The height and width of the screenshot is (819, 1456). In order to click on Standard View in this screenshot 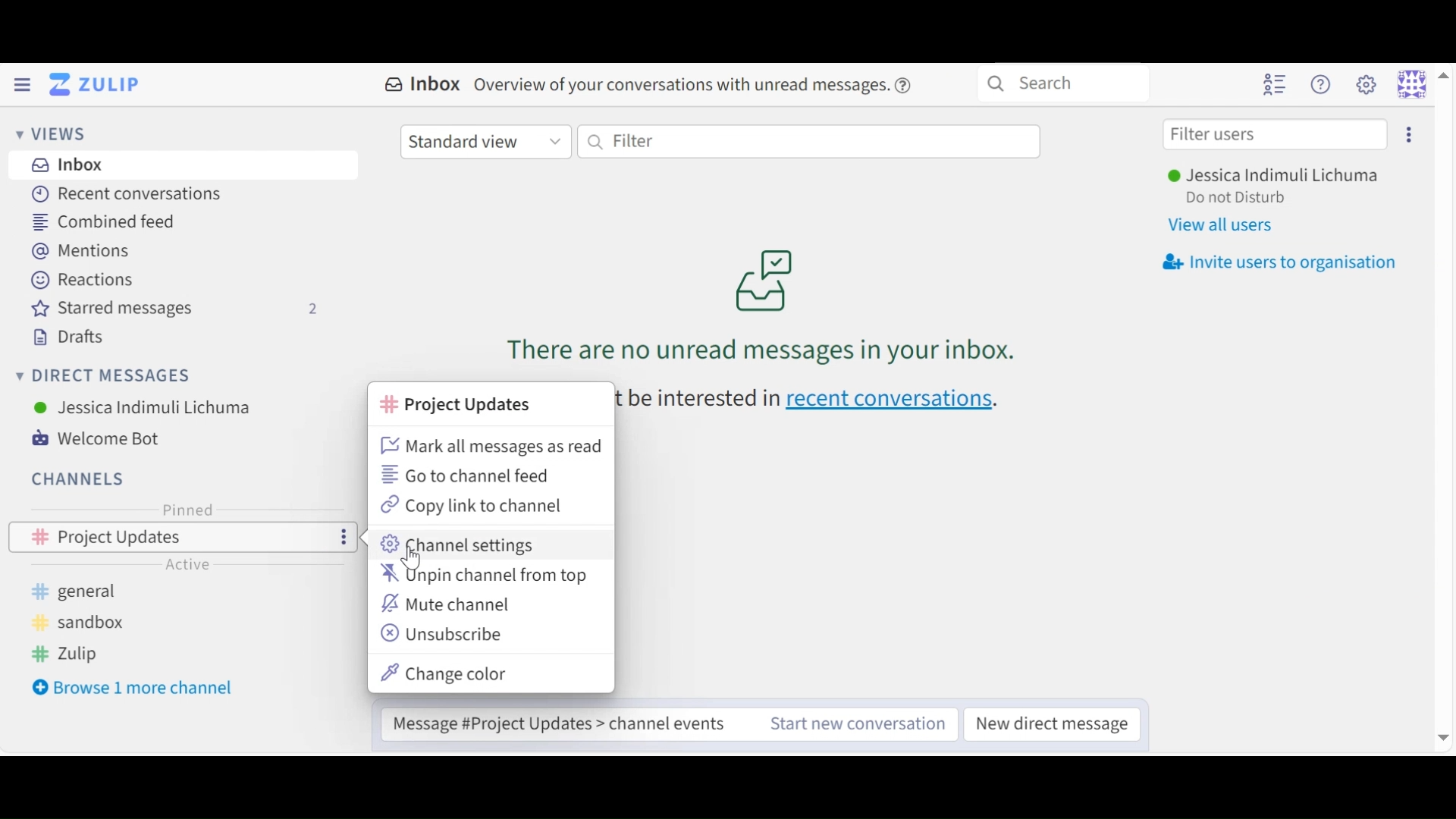, I will do `click(485, 140)`.